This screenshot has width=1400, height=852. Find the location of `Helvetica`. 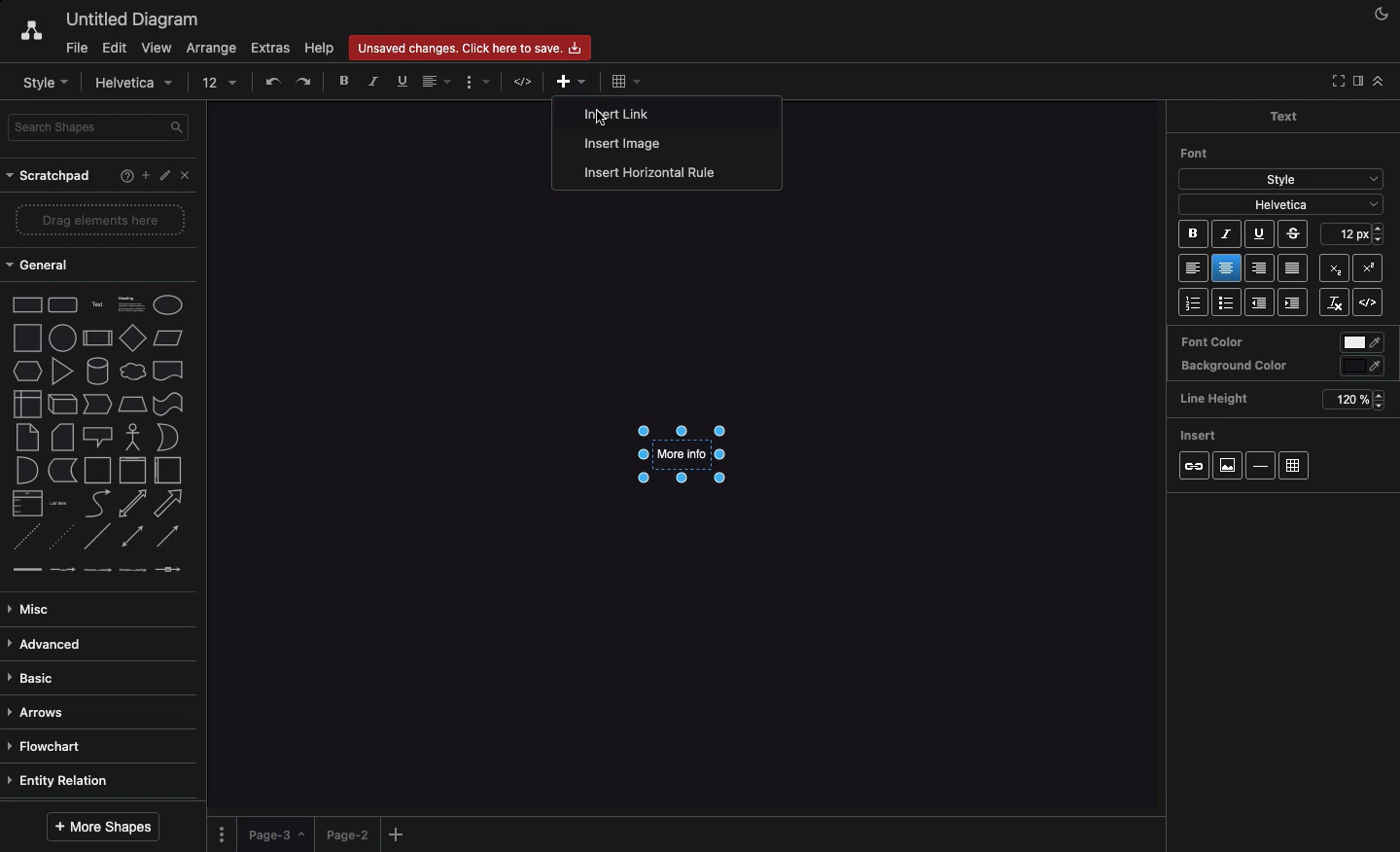

Helvetica is located at coordinates (137, 84).